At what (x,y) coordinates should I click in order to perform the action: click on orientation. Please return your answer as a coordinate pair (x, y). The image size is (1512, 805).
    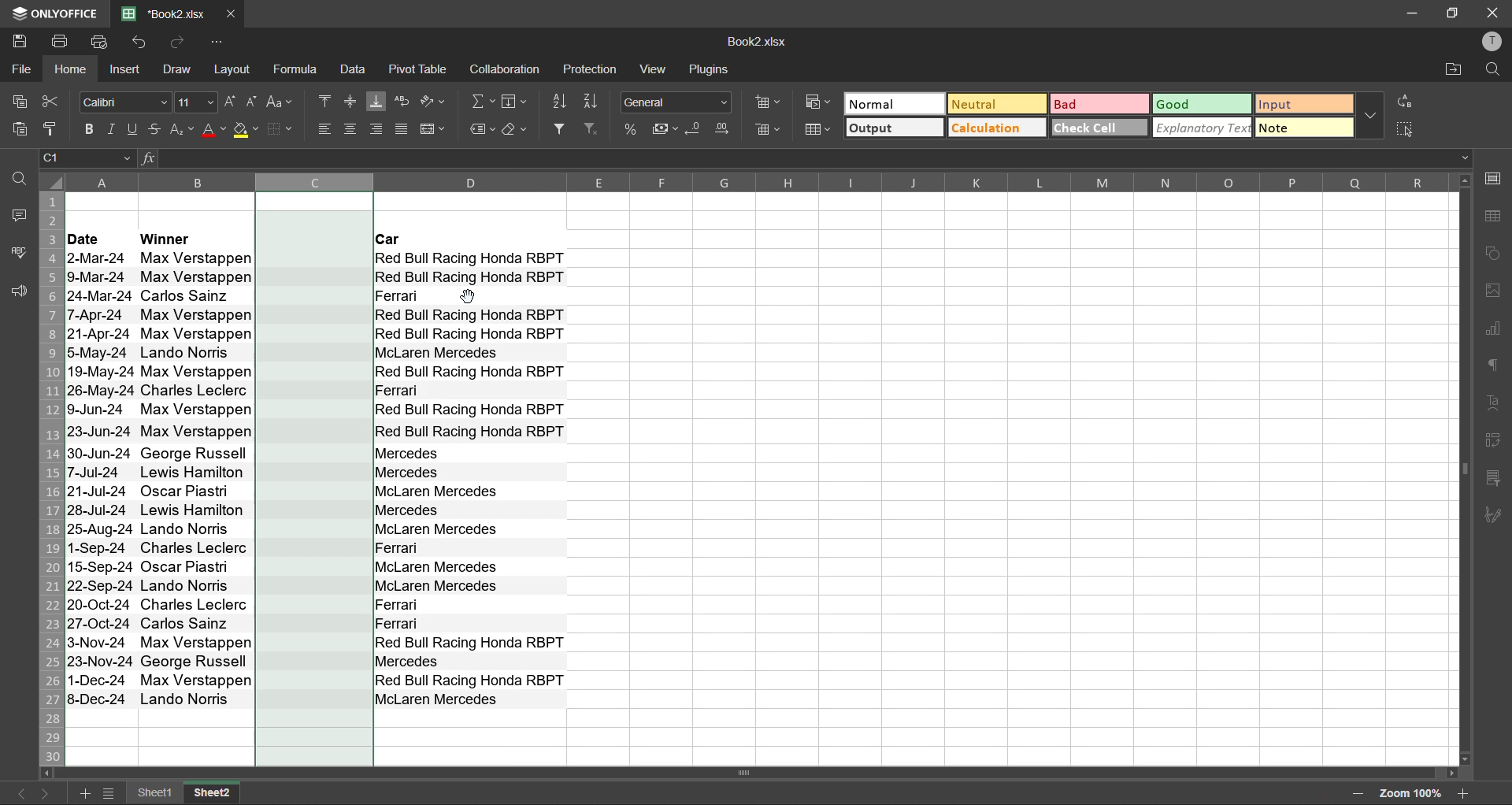
    Looking at the image, I should click on (433, 99).